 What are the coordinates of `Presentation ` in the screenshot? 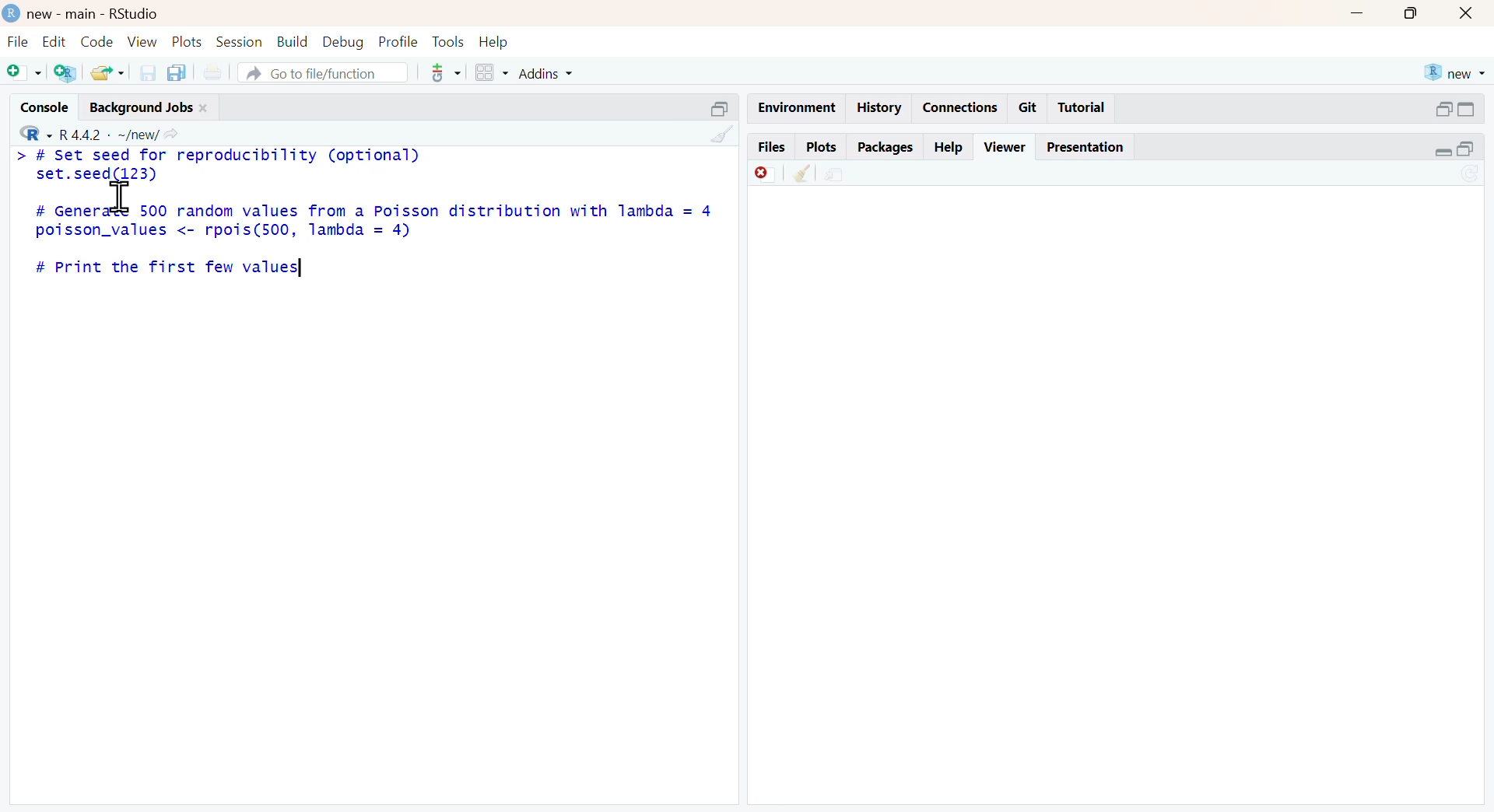 It's located at (1085, 147).